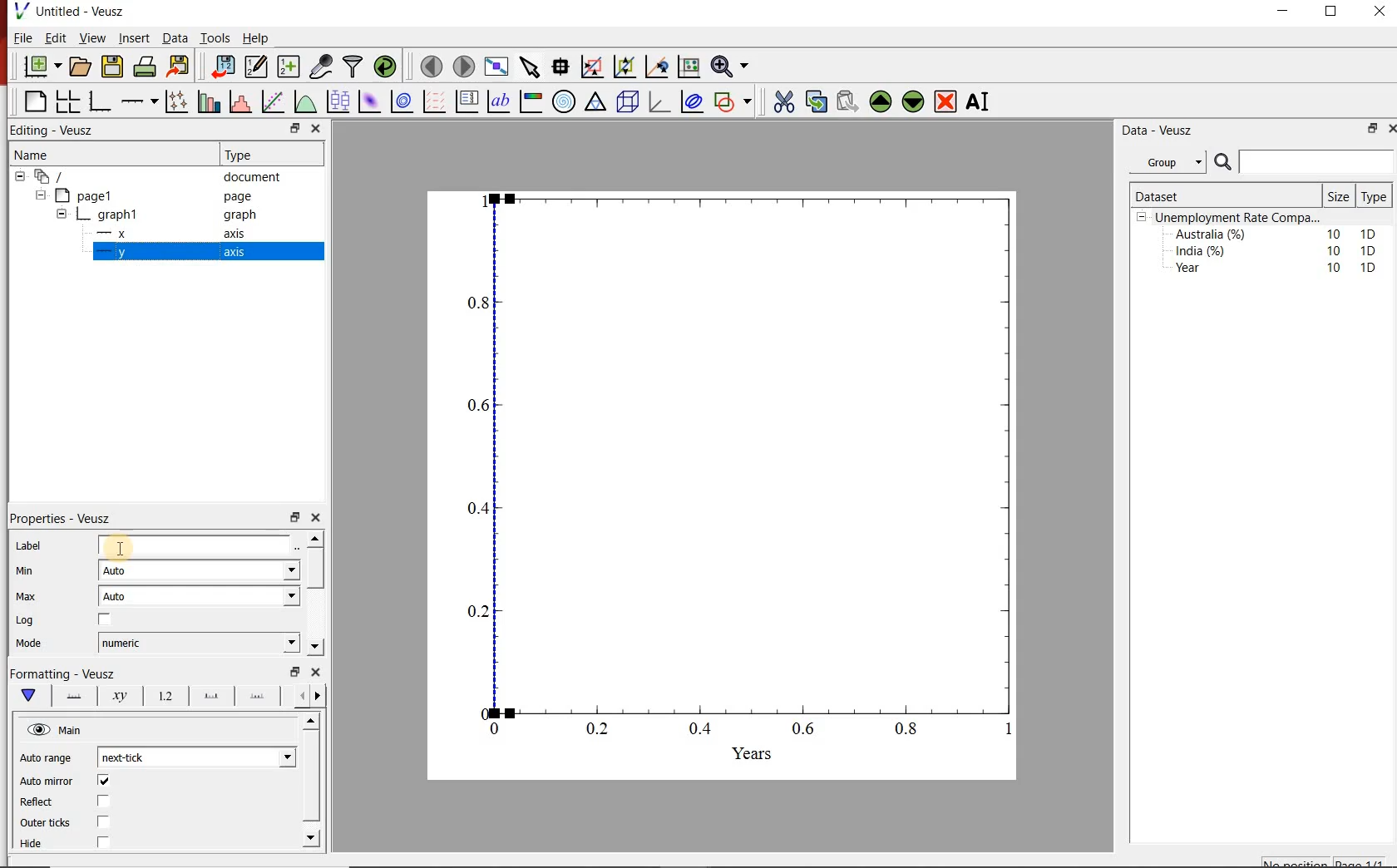  I want to click on click to zoom out graph axes, so click(625, 65).